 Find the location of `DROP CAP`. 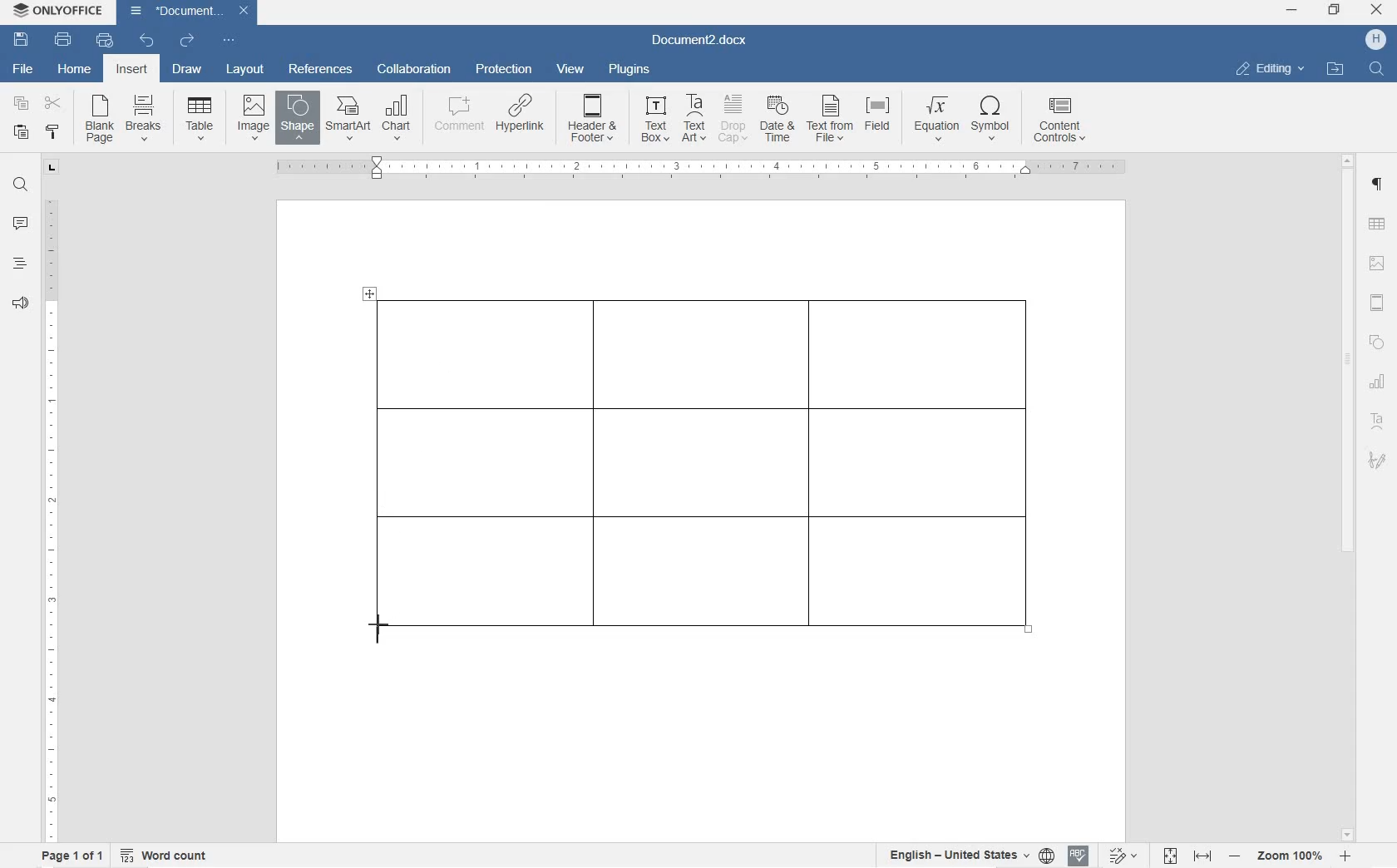

DROP CAP is located at coordinates (734, 121).